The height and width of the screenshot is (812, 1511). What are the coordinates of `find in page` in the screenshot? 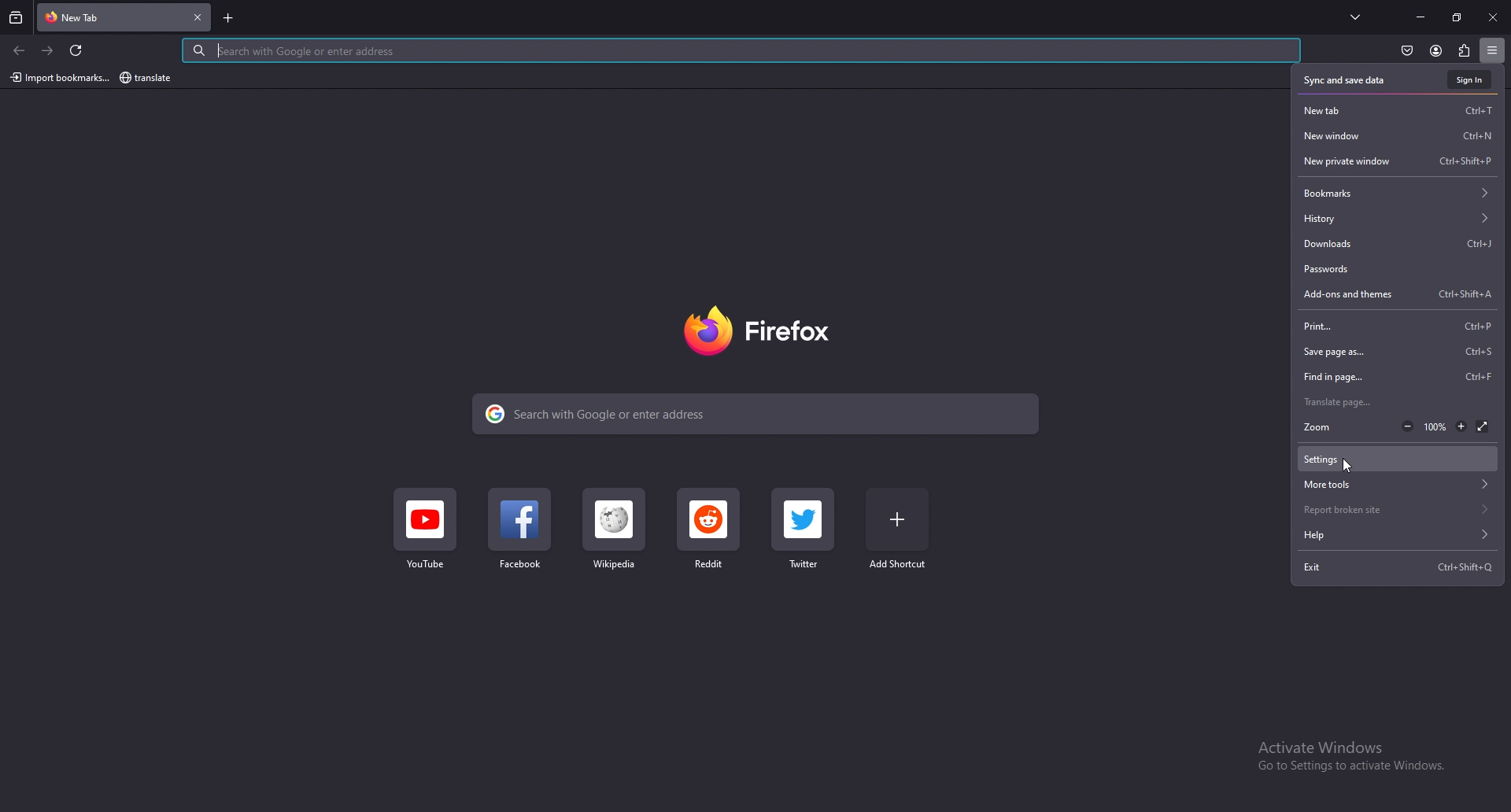 It's located at (1400, 376).